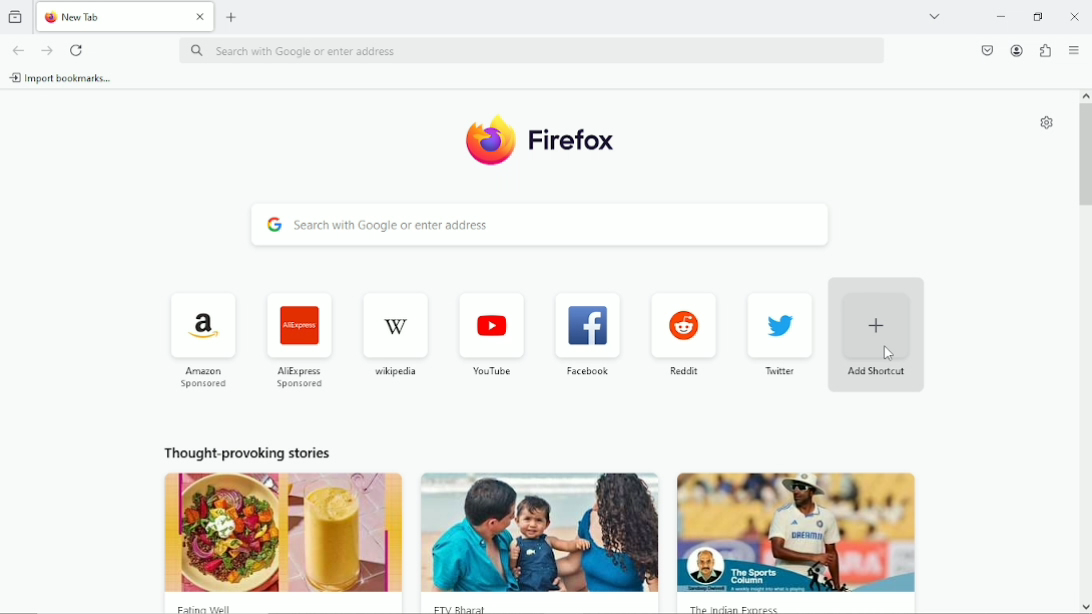  What do you see at coordinates (61, 77) in the screenshot?
I see `import bookmarks` at bounding box center [61, 77].